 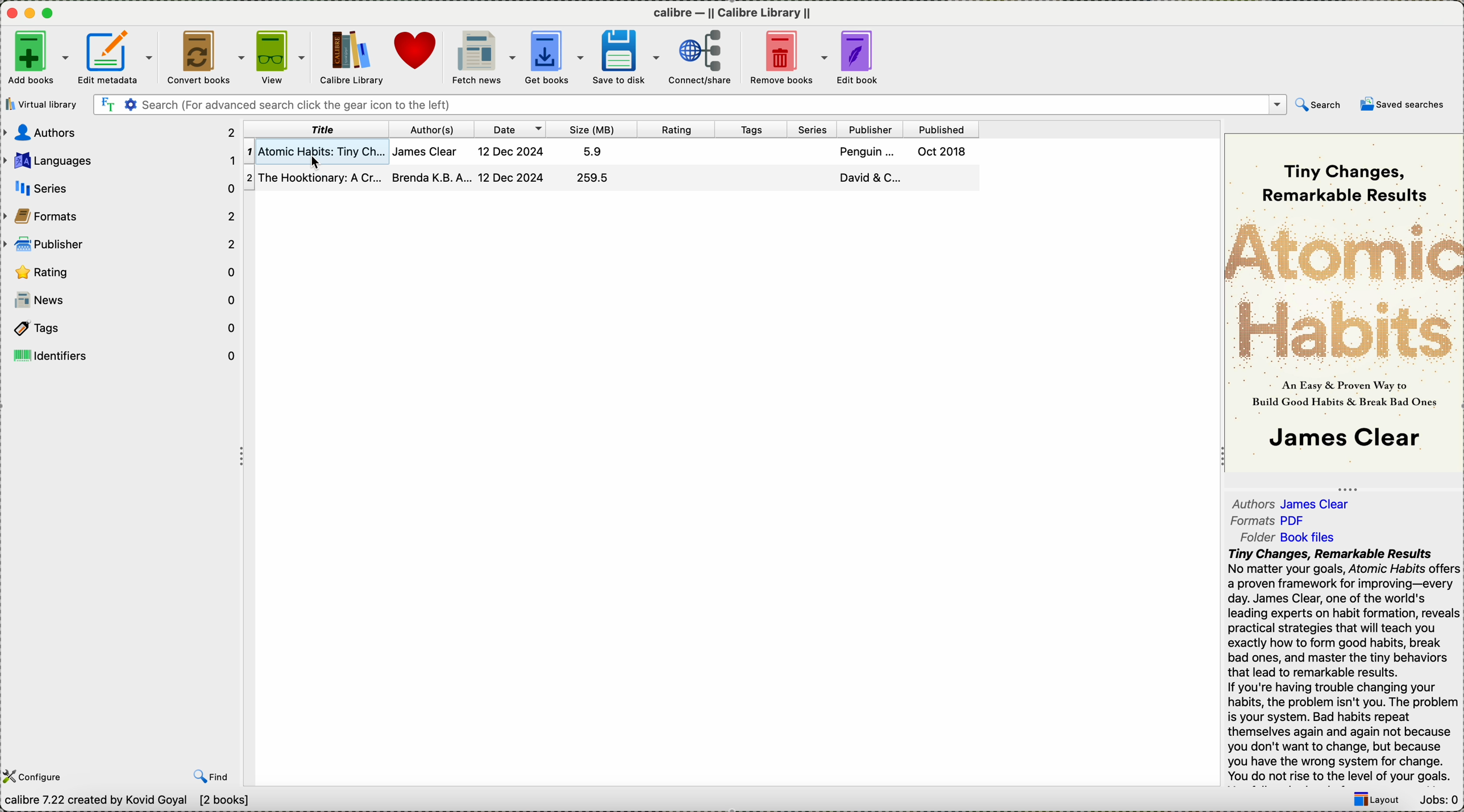 I want to click on languages, so click(x=120, y=160).